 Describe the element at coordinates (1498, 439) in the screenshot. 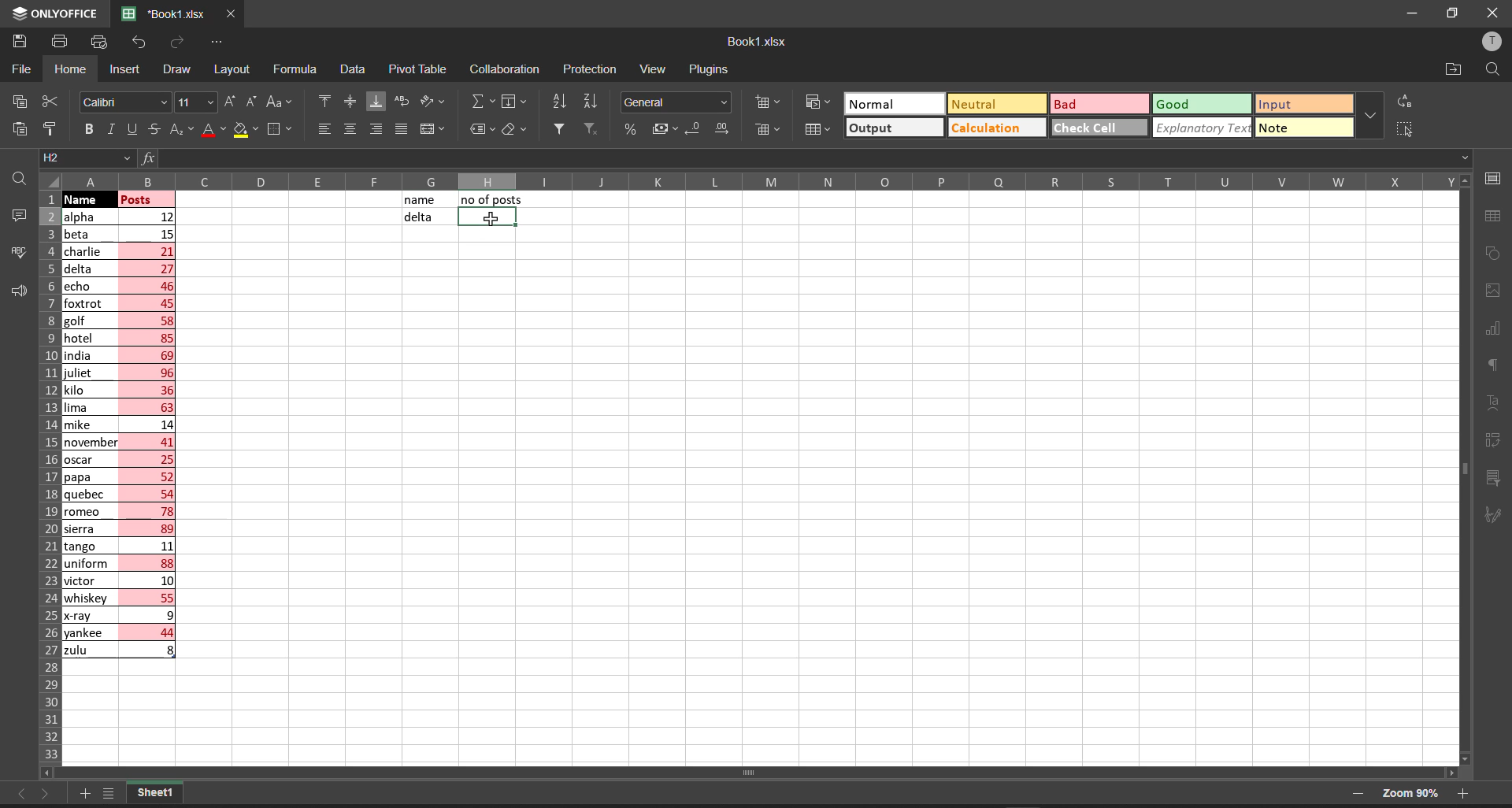

I see `pivot table settings` at that location.